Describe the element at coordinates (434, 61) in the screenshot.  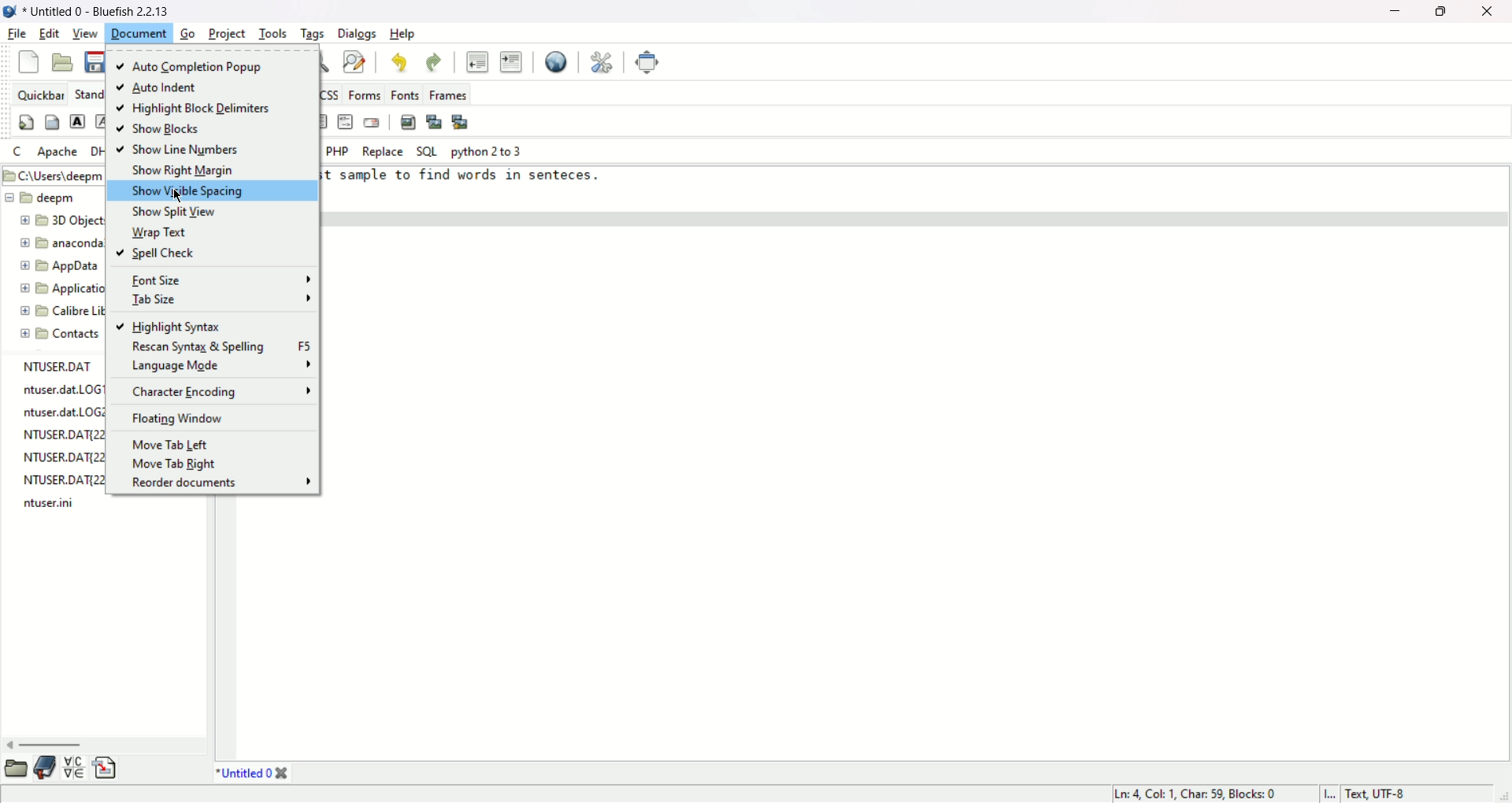
I see `redo` at that location.